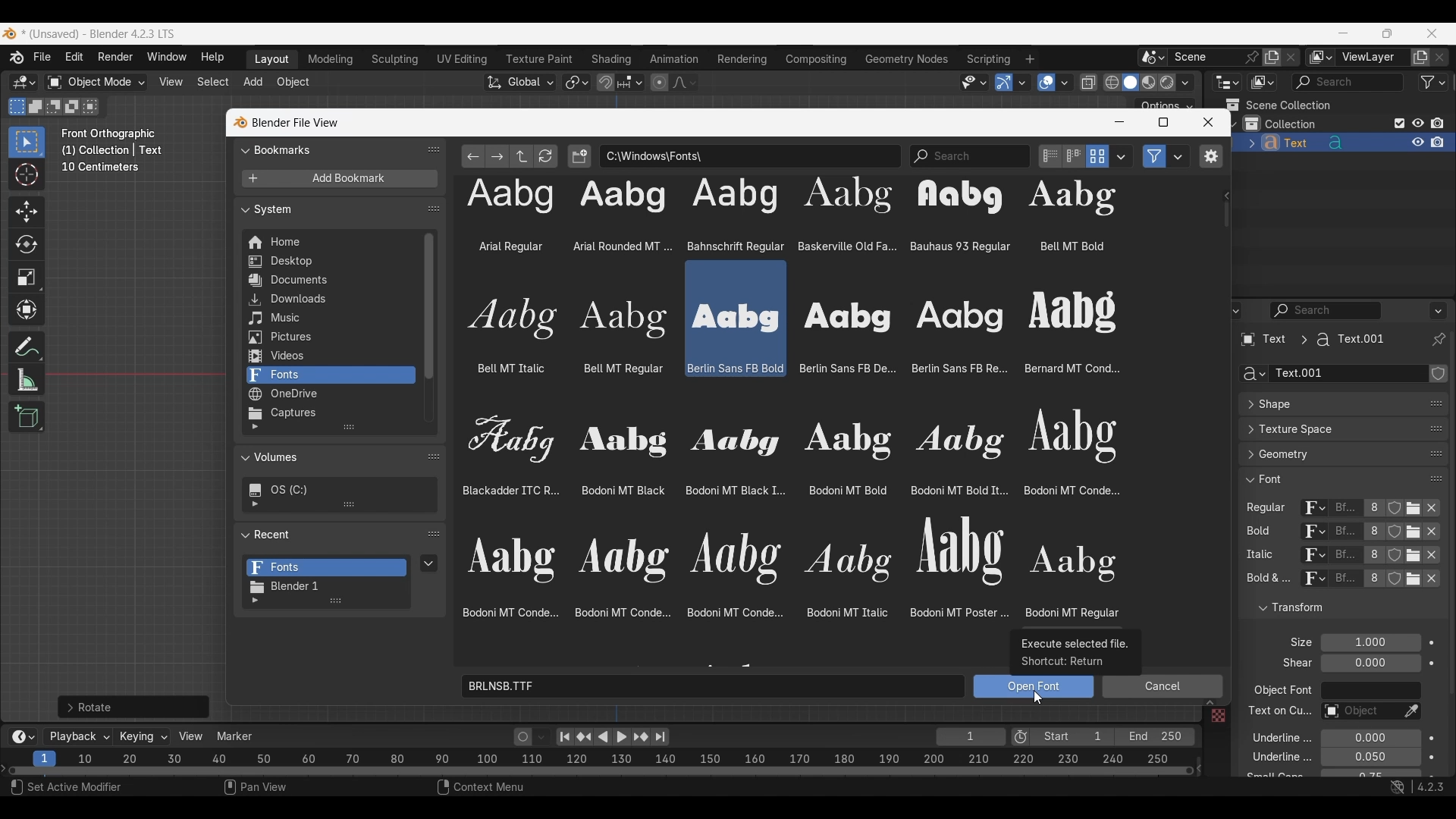 The image size is (1456, 819). Describe the element at coordinates (541, 59) in the screenshot. I see `Texture paint workspace` at that location.